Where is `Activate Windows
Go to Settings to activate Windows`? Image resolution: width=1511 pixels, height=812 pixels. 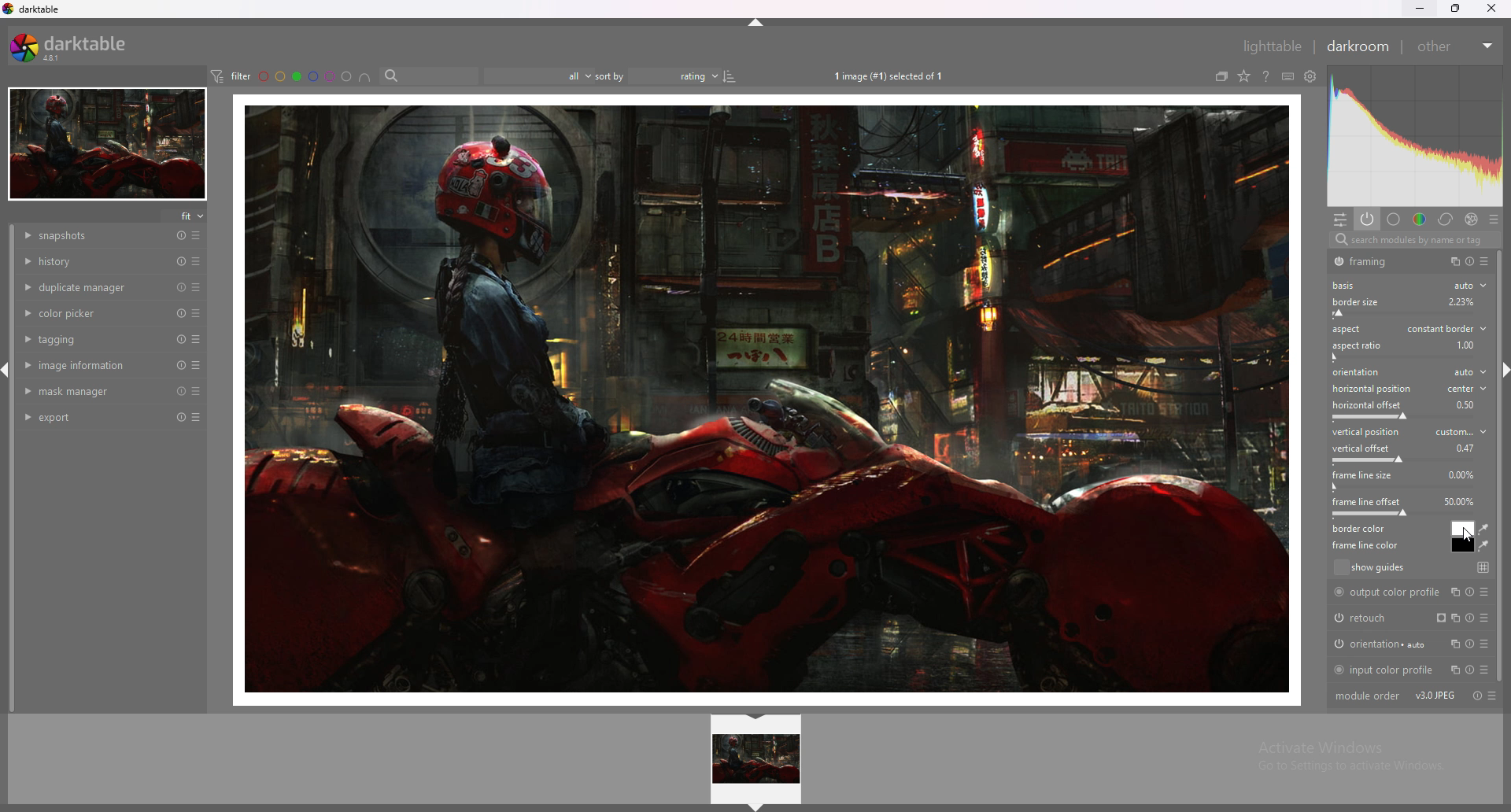 Activate Windows
Go to Settings to activate Windows is located at coordinates (1347, 760).